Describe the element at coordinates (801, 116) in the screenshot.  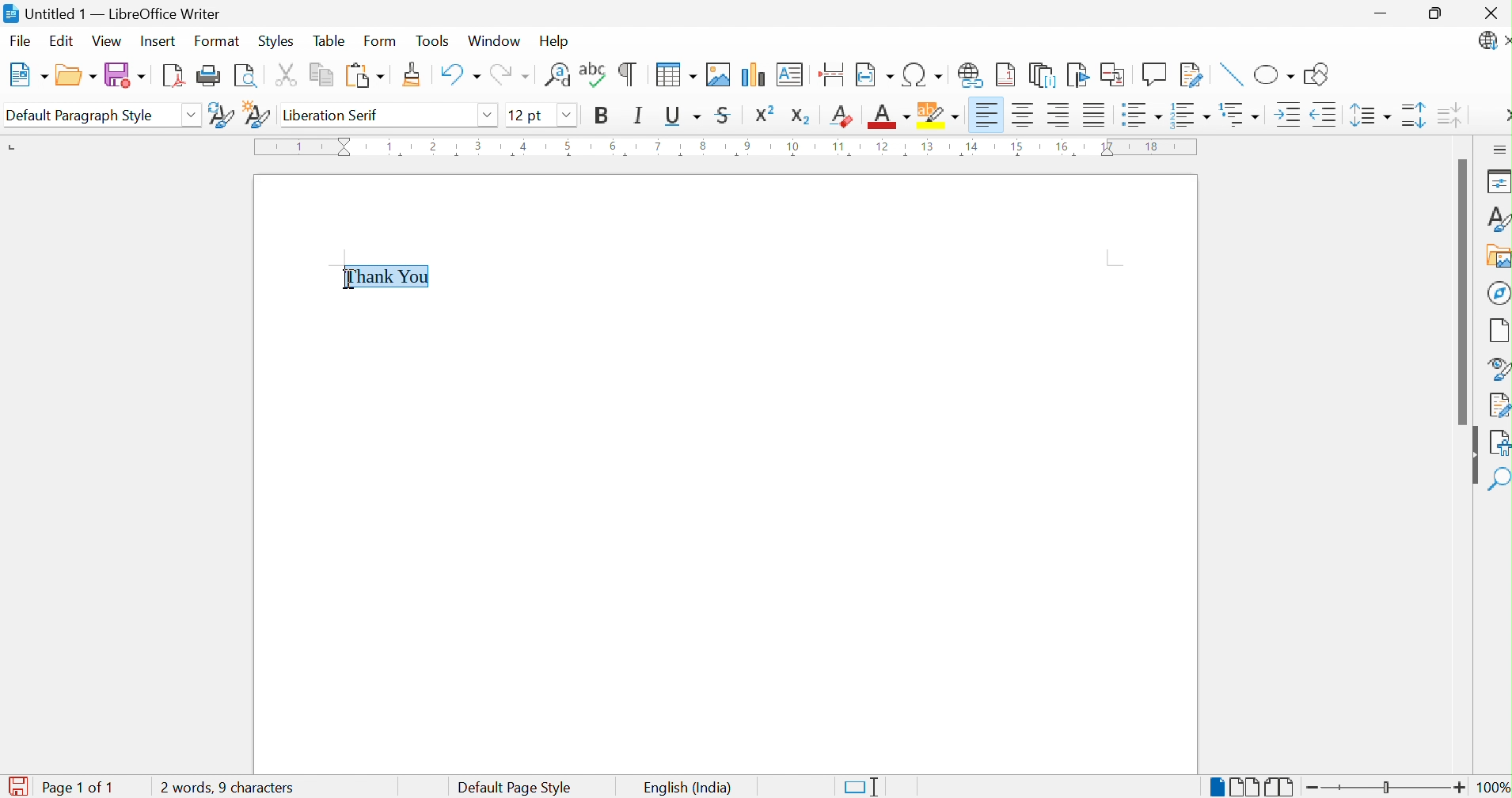
I see `Subscript` at that location.